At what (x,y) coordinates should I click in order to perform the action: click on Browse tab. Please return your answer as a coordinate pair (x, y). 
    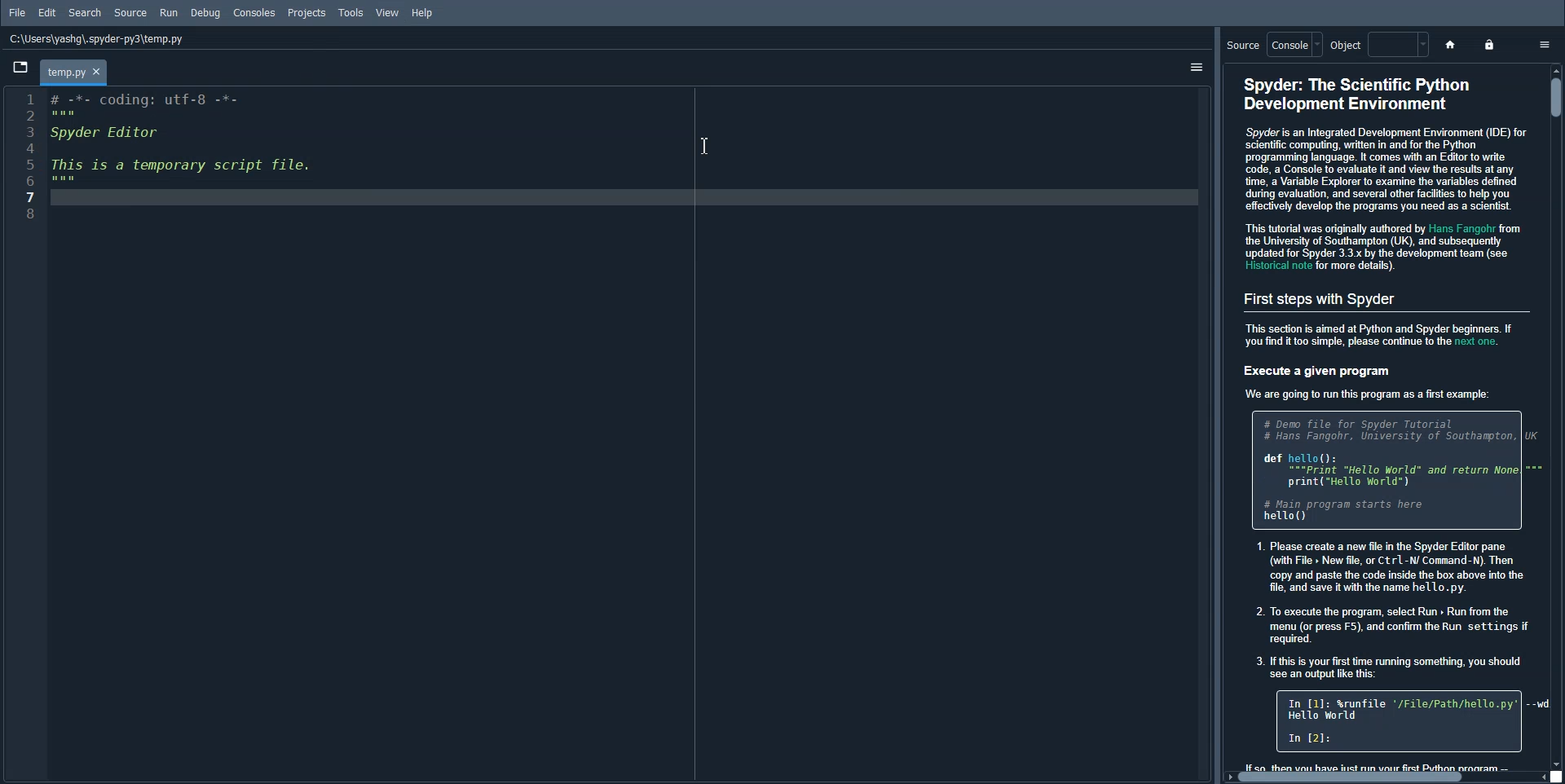
    Looking at the image, I should click on (20, 67).